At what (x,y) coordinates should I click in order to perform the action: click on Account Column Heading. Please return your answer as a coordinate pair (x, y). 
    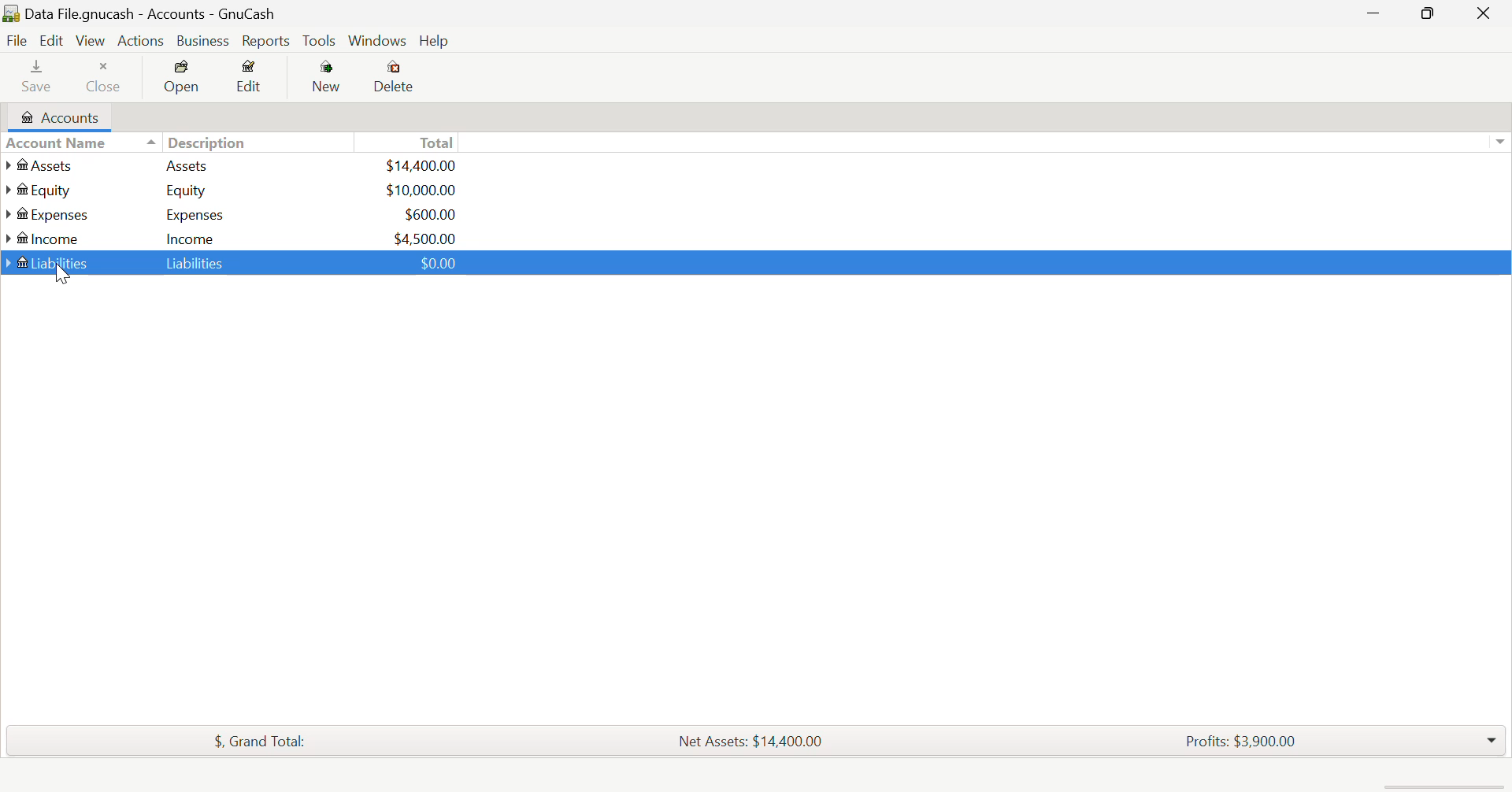
    Looking at the image, I should click on (60, 144).